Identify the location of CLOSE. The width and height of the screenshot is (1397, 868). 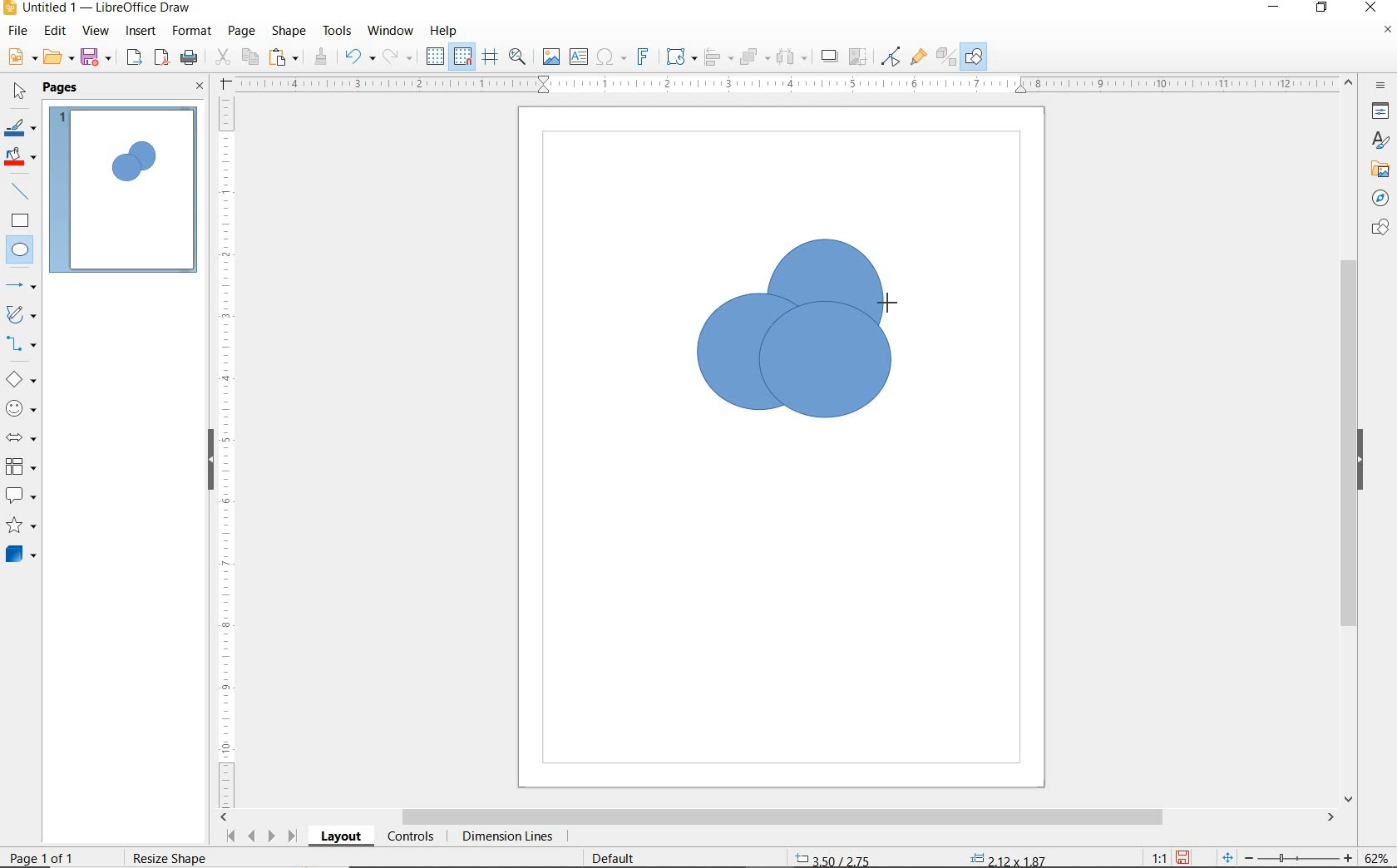
(200, 87).